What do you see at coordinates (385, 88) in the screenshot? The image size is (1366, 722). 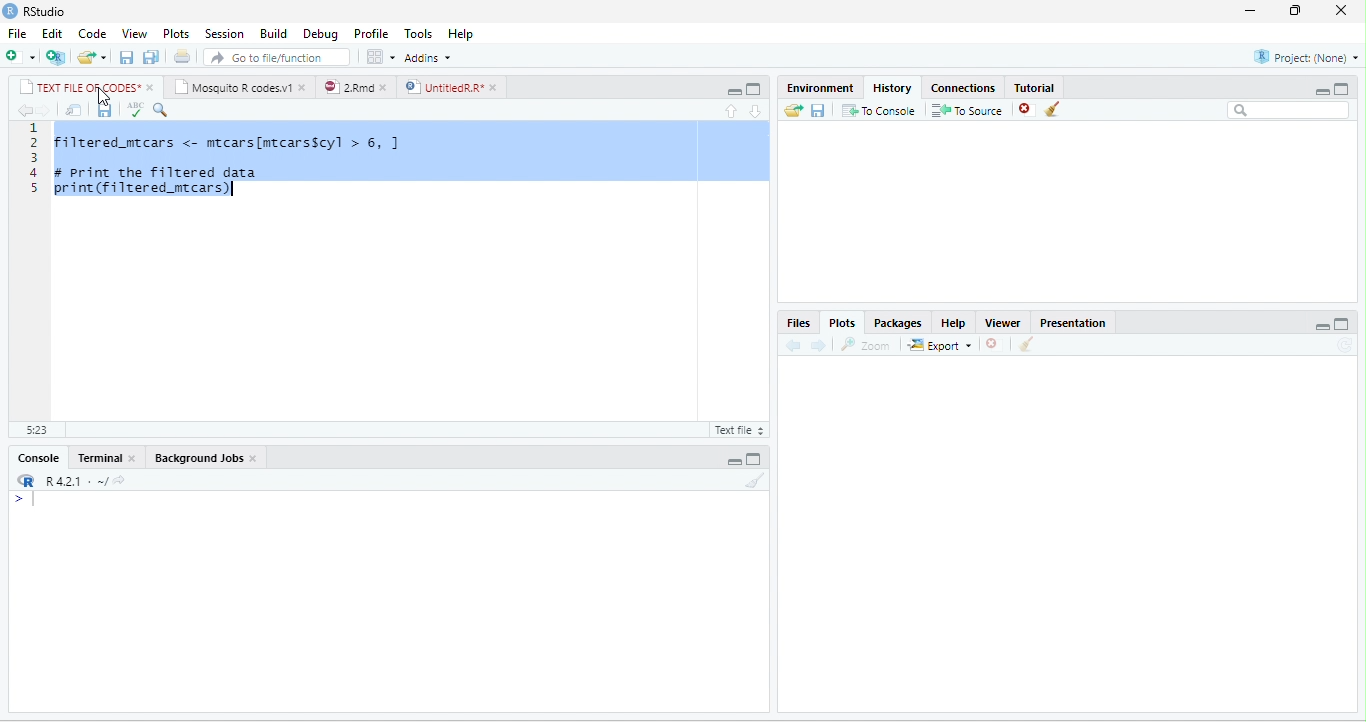 I see `close` at bounding box center [385, 88].